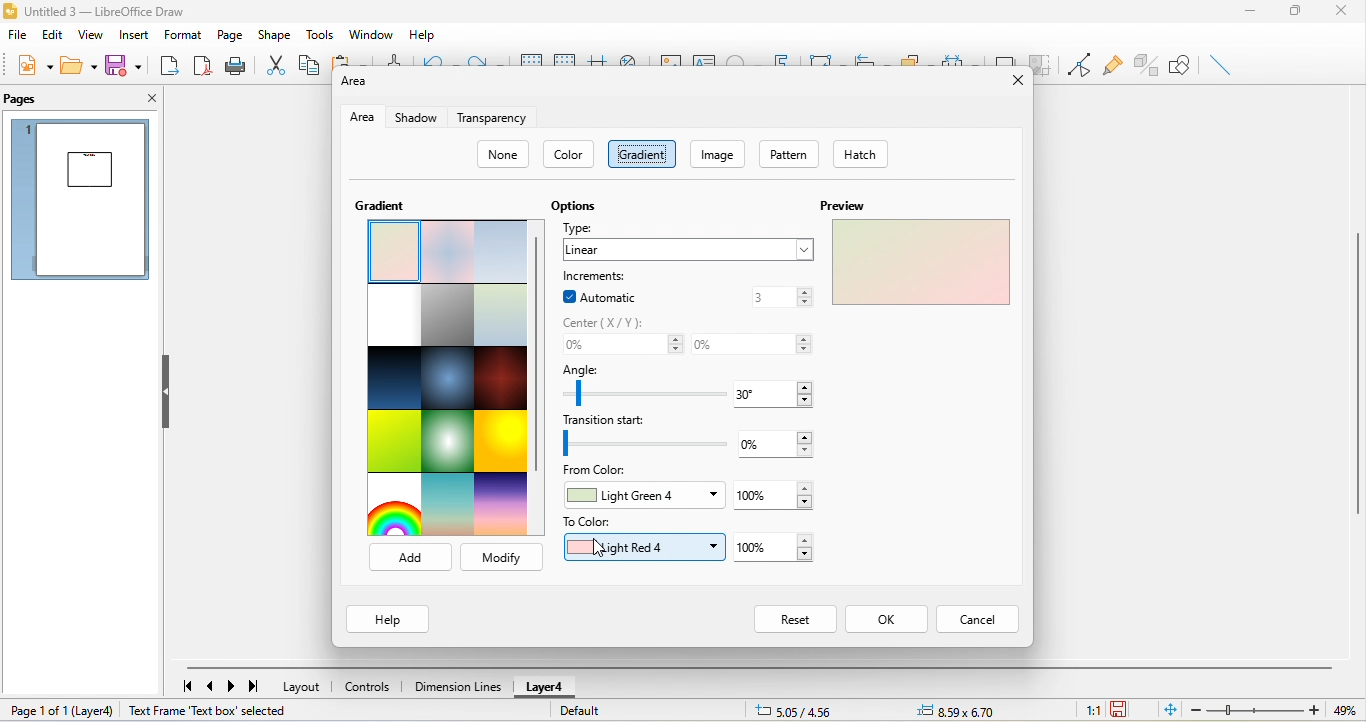 The width and height of the screenshot is (1366, 722). Describe the element at coordinates (501, 316) in the screenshot. I see `submarine` at that location.